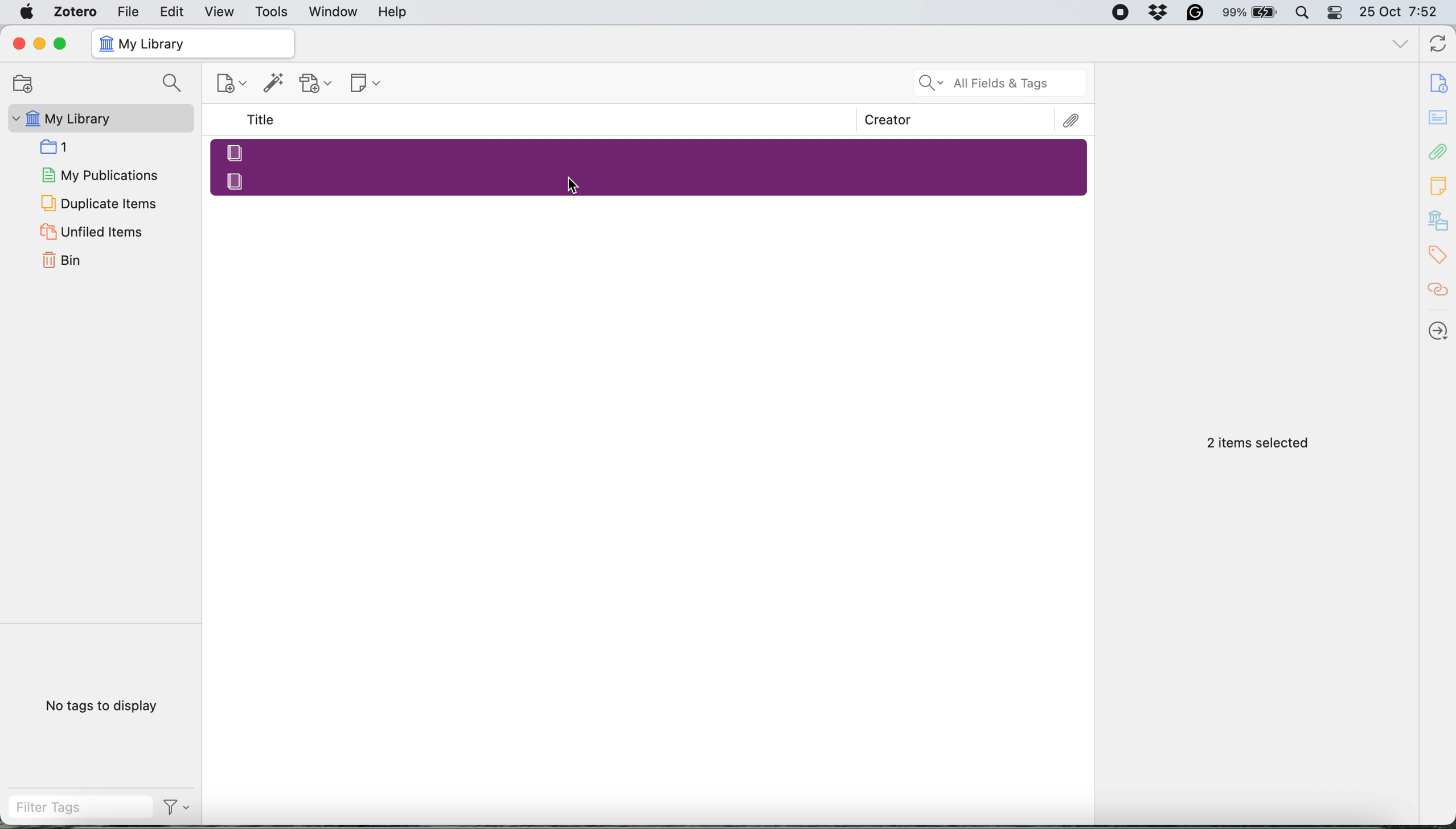 This screenshot has width=1456, height=829. Describe the element at coordinates (651, 180) in the screenshot. I see `Blank Entry 2 Selected` at that location.